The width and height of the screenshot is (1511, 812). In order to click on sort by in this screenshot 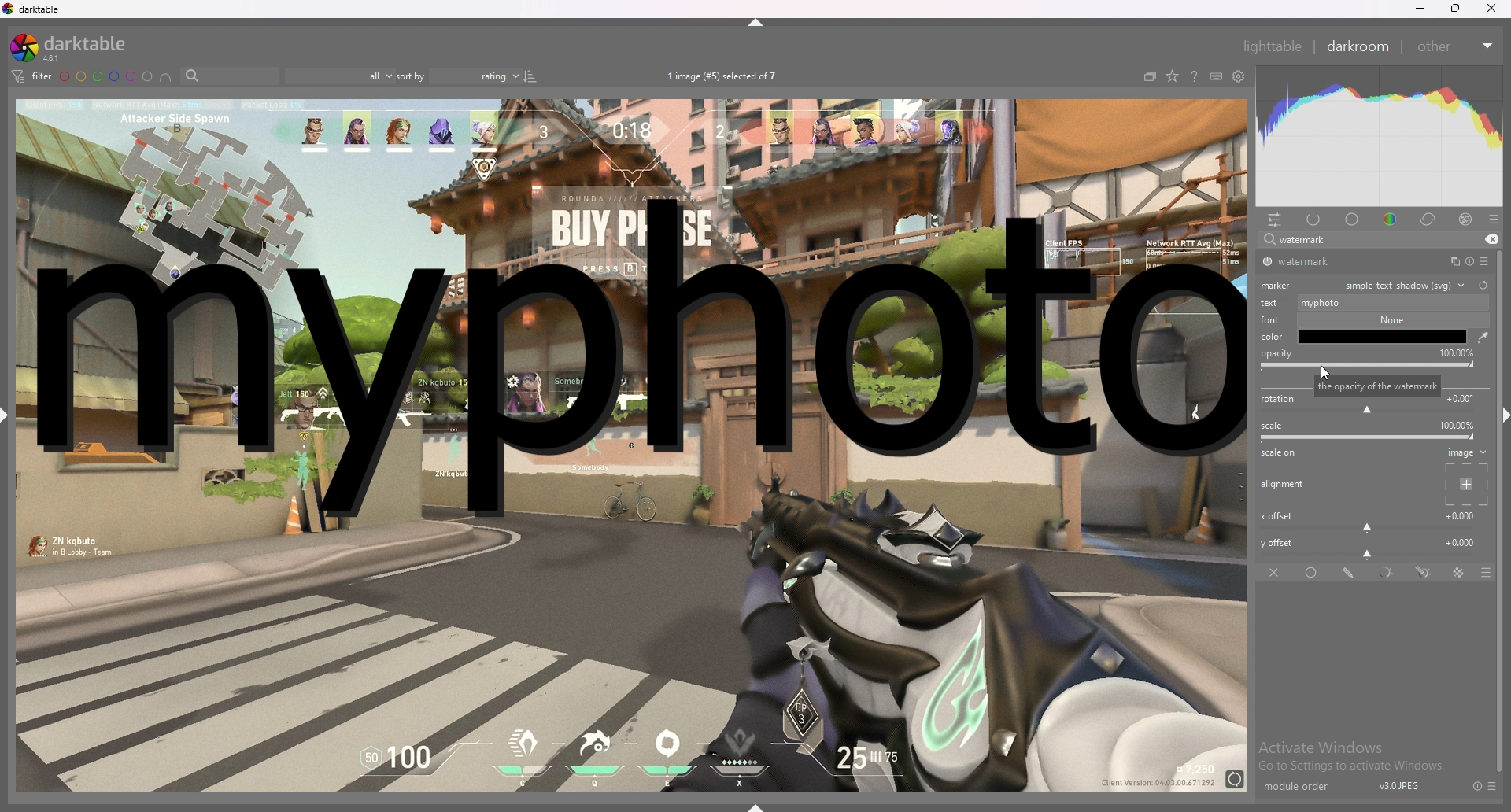, I will do `click(456, 76)`.